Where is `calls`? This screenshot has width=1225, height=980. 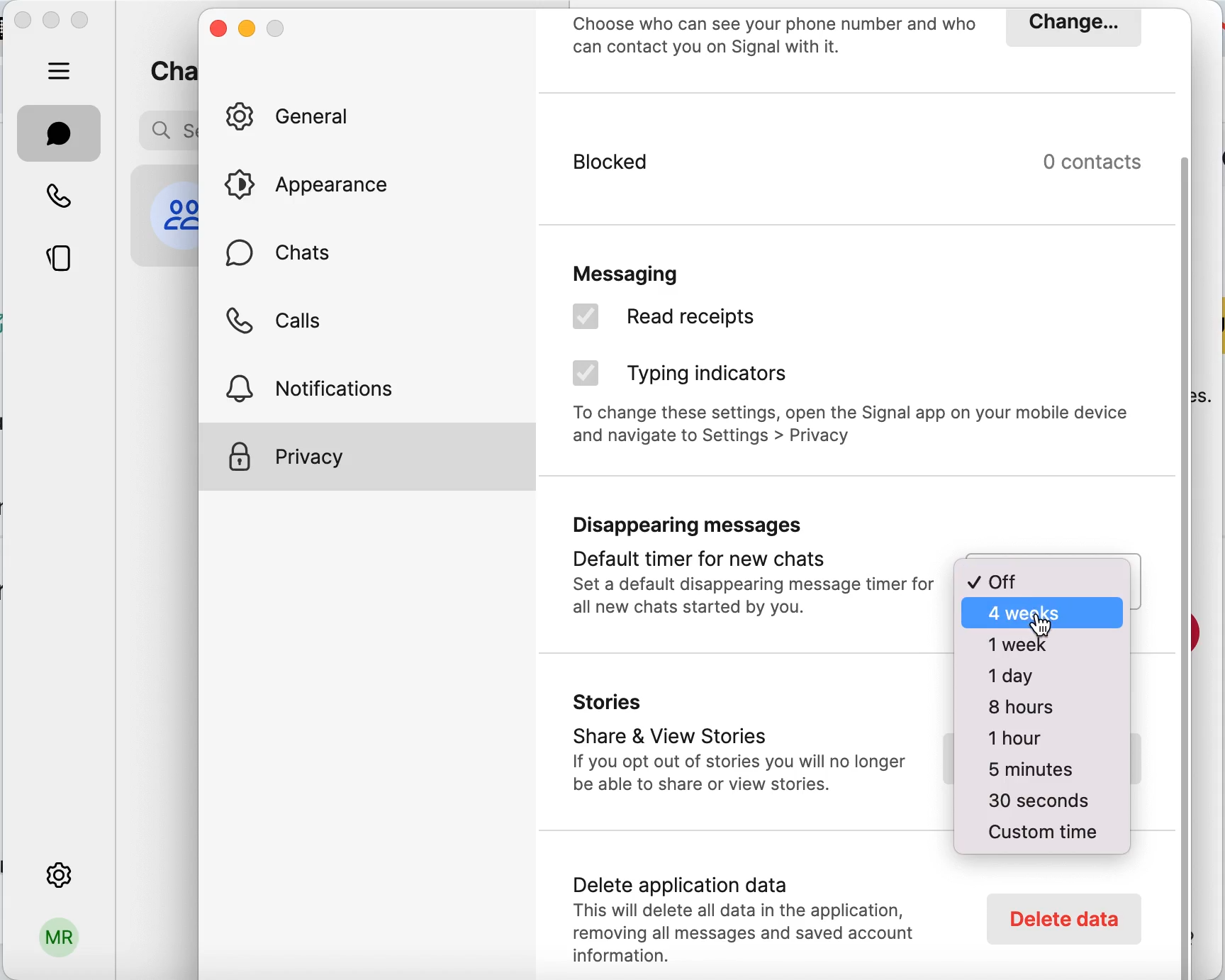
calls is located at coordinates (279, 325).